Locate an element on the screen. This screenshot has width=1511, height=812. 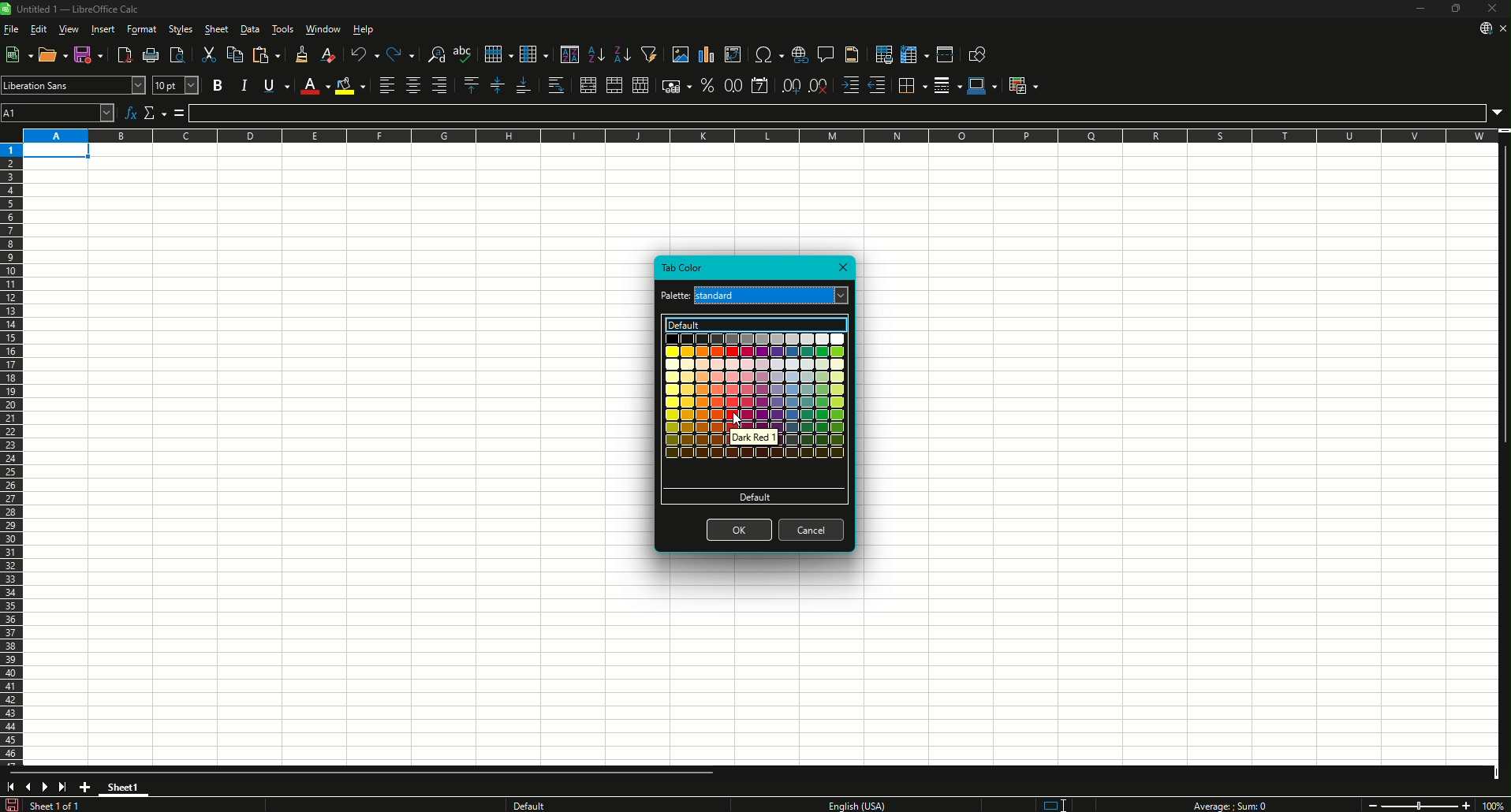
Scroll to last sheet is located at coordinates (62, 786).